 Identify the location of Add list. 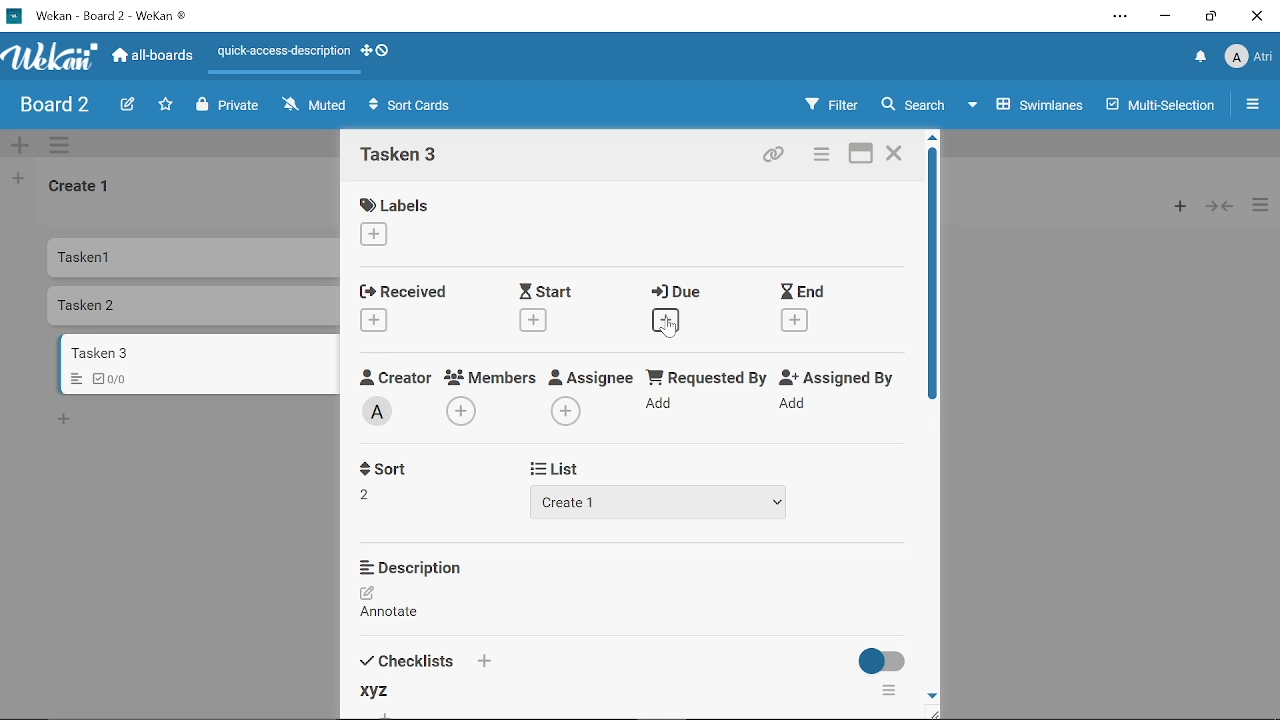
(667, 502).